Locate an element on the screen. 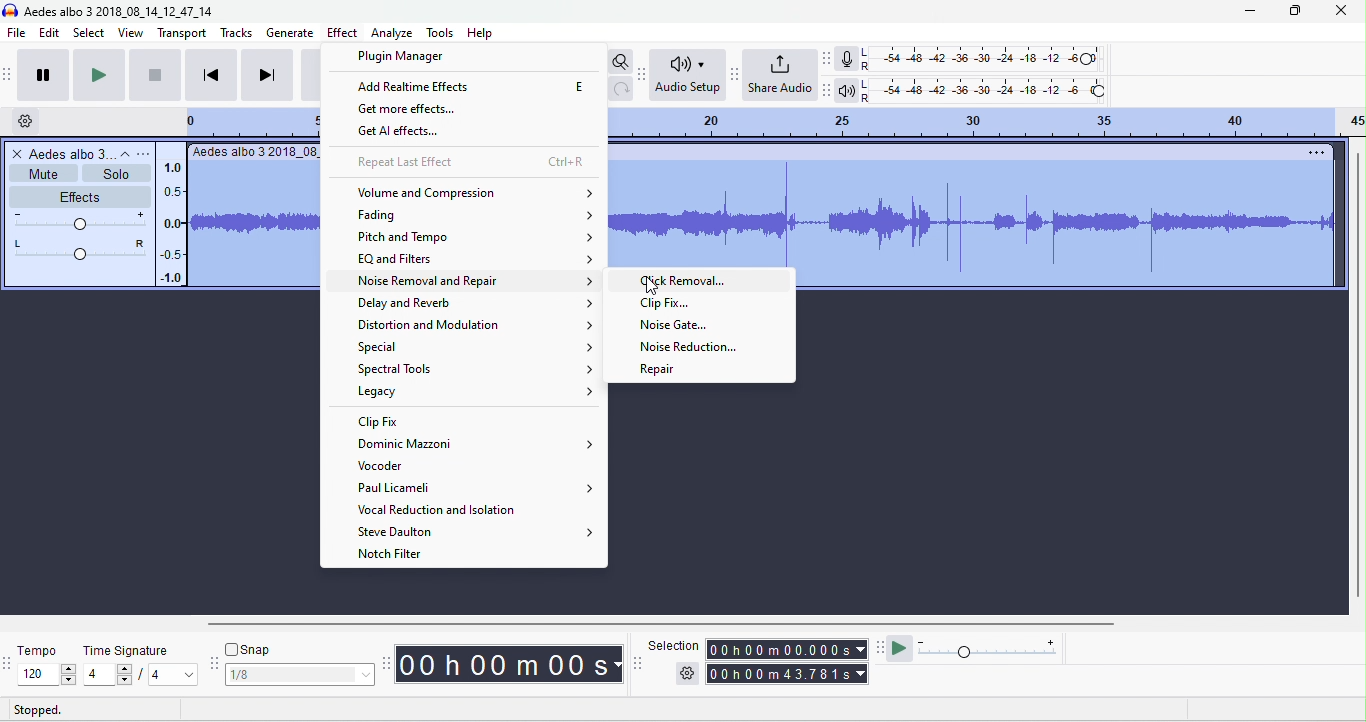 The width and height of the screenshot is (1366, 722). timeline options is located at coordinates (25, 120).